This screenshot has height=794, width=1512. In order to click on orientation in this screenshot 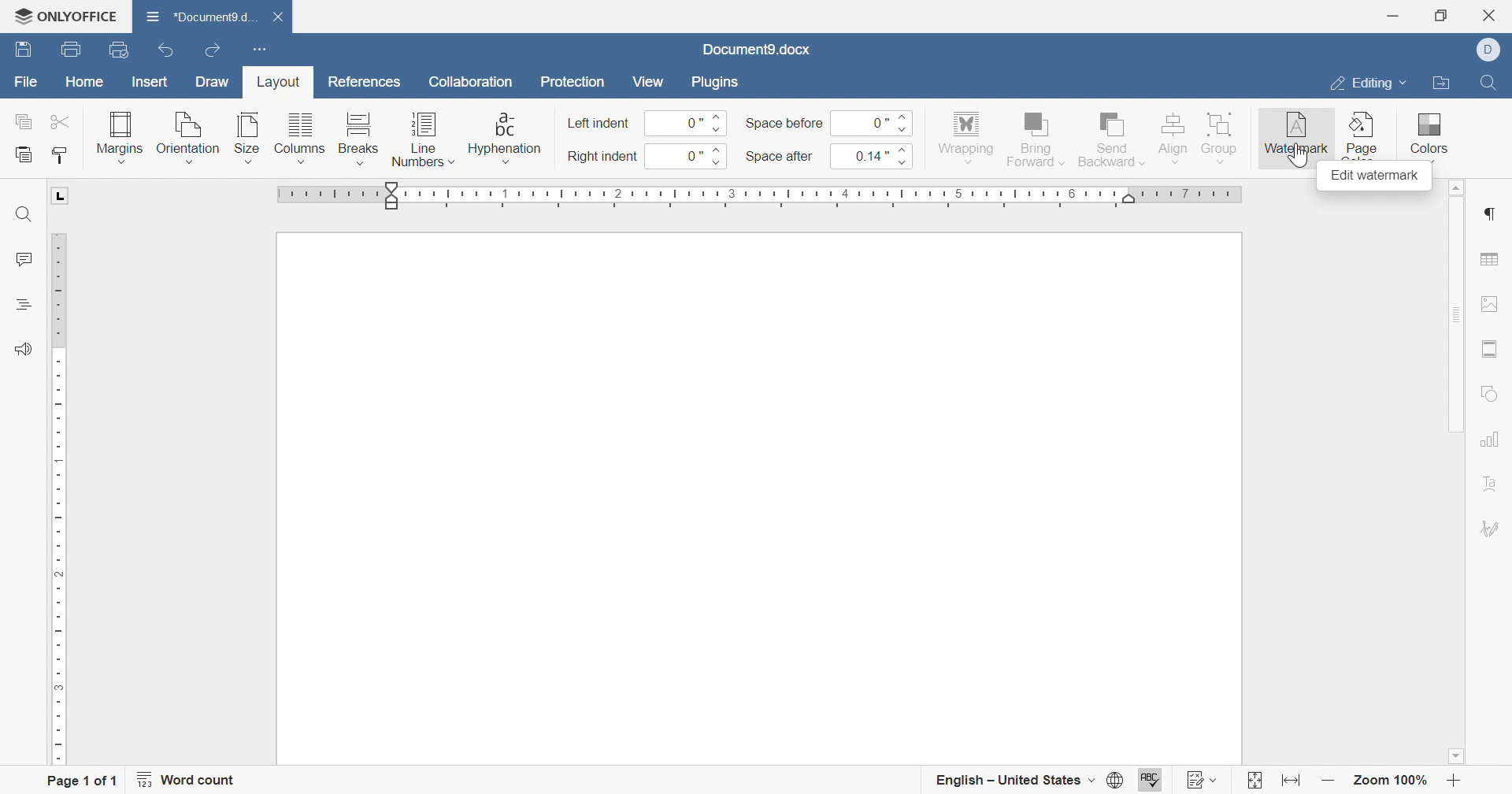, I will do `click(187, 139)`.